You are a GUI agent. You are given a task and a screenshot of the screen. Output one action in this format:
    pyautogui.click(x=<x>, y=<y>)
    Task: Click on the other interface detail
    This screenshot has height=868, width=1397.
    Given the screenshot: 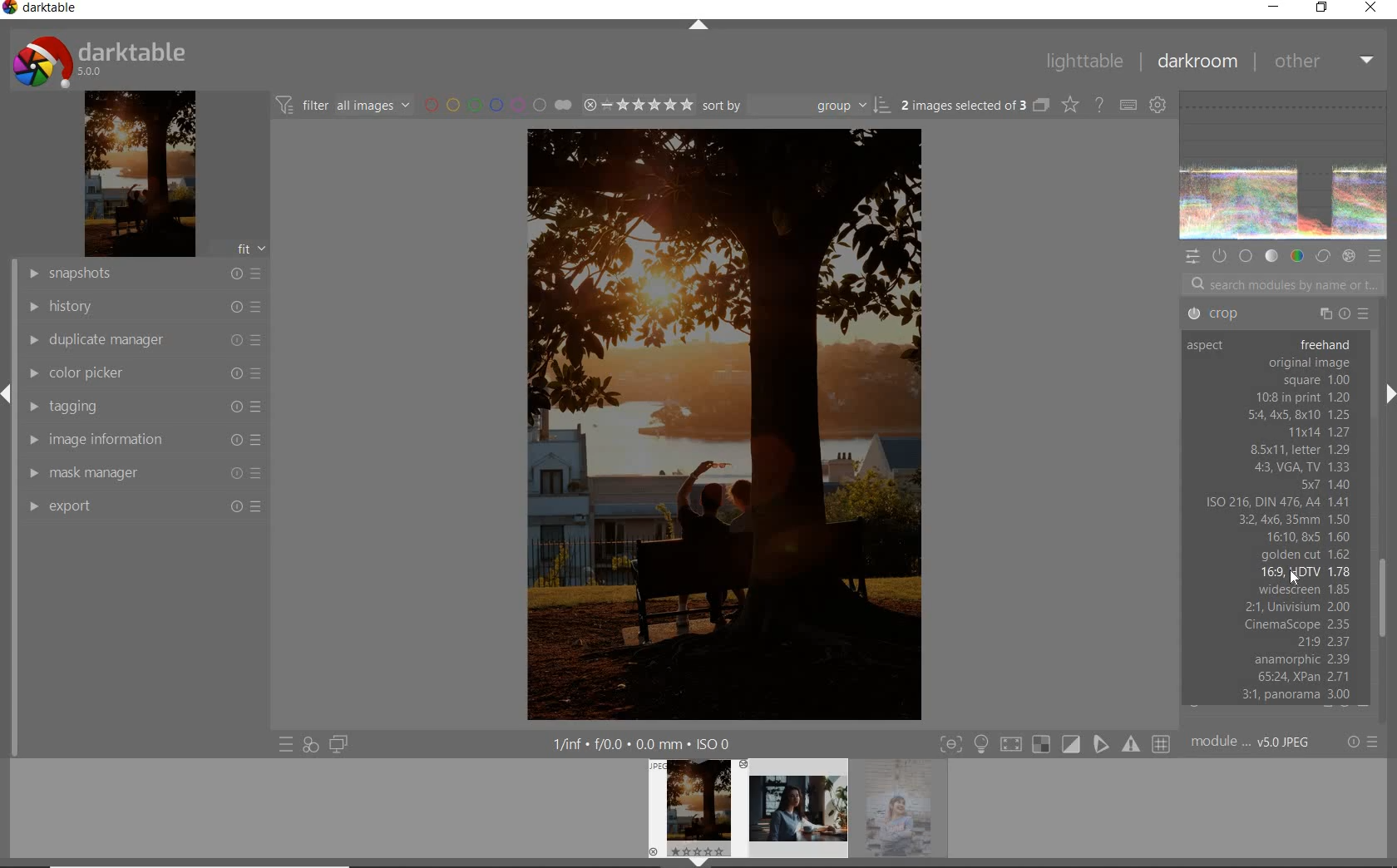 What is the action you would take?
    pyautogui.click(x=646, y=742)
    